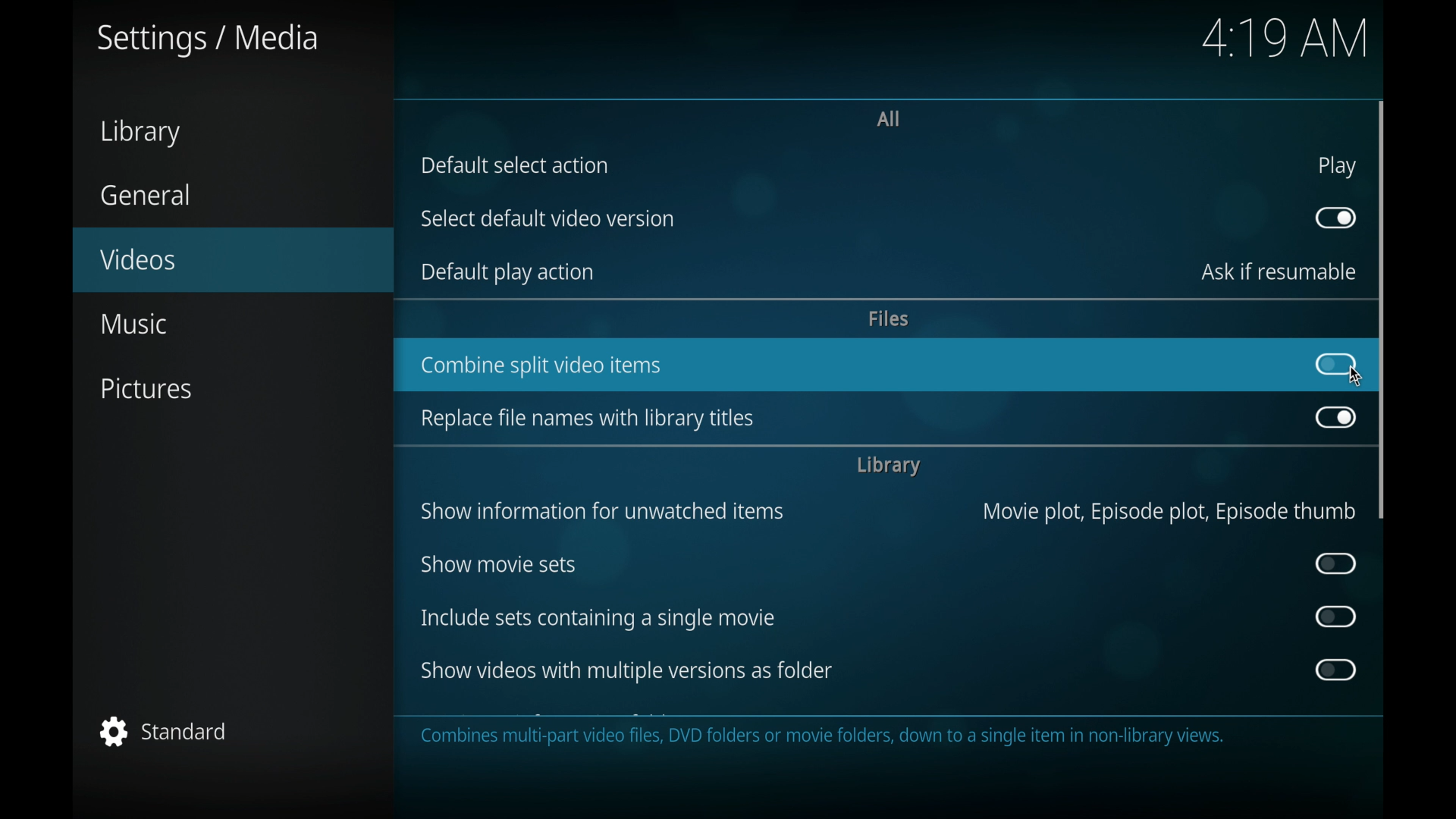  What do you see at coordinates (133, 325) in the screenshot?
I see `music` at bounding box center [133, 325].